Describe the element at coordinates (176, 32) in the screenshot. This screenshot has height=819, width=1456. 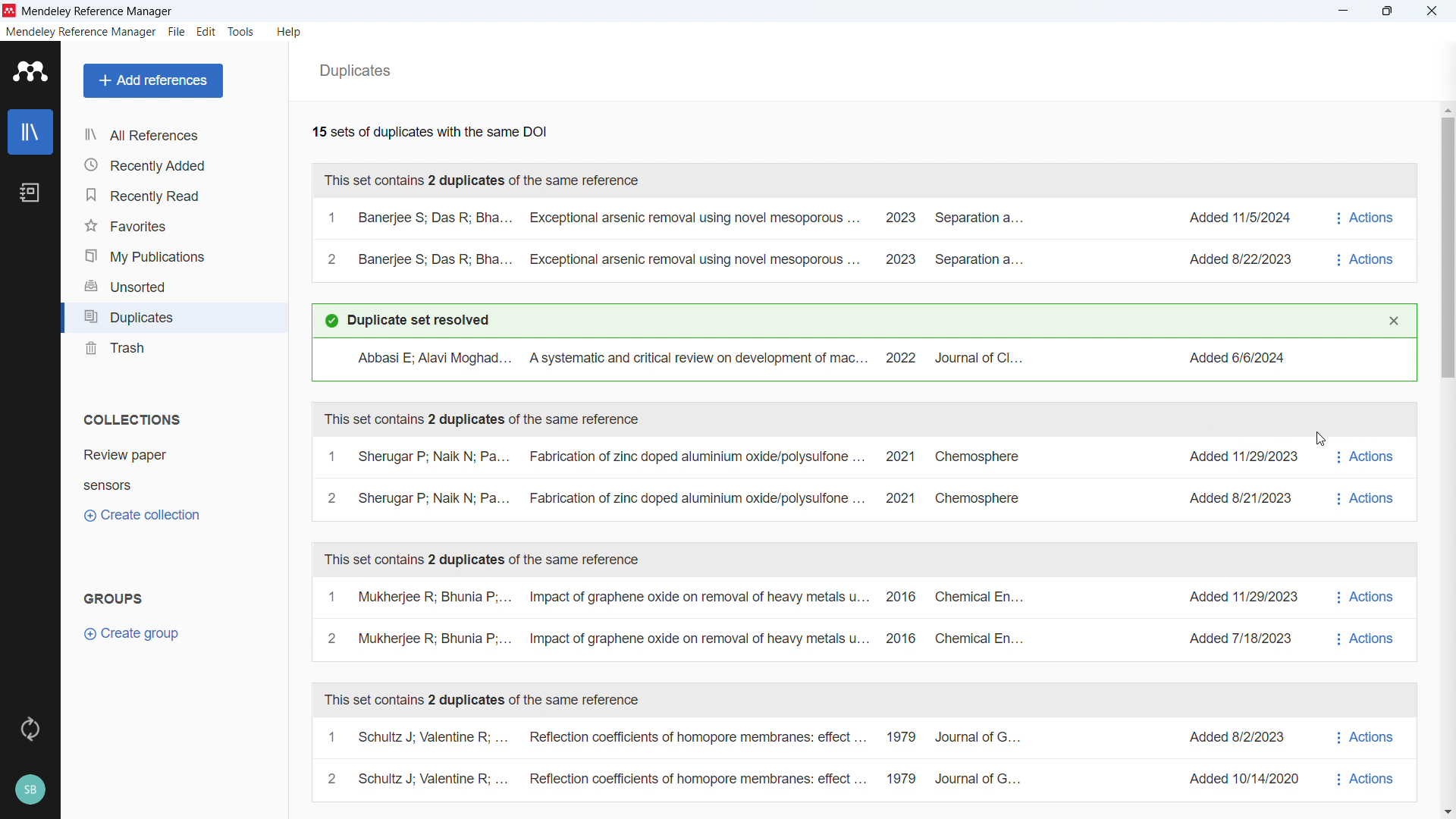
I see `file` at that location.